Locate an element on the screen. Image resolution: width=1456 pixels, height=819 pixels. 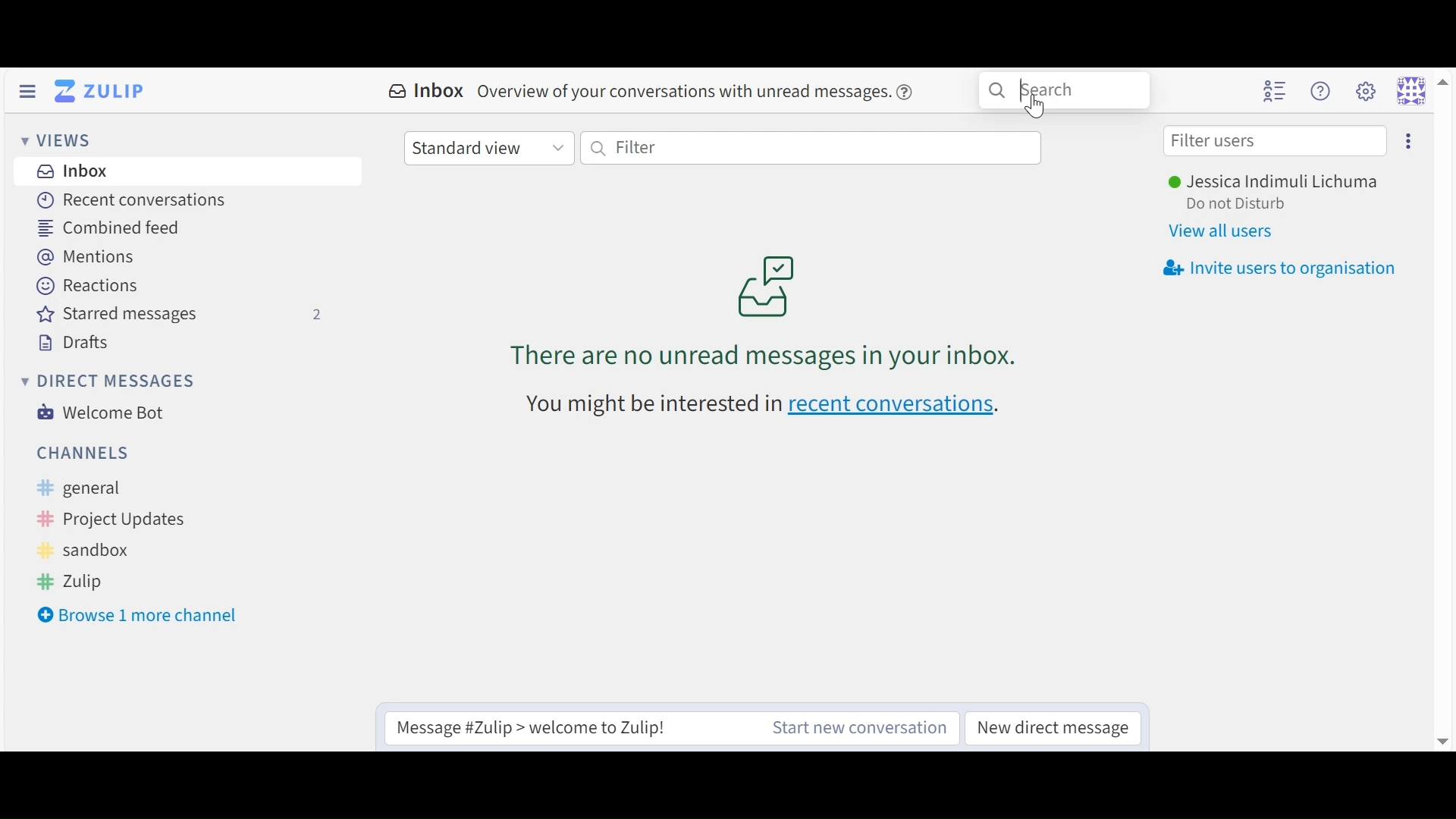
Standard view is located at coordinates (488, 148).